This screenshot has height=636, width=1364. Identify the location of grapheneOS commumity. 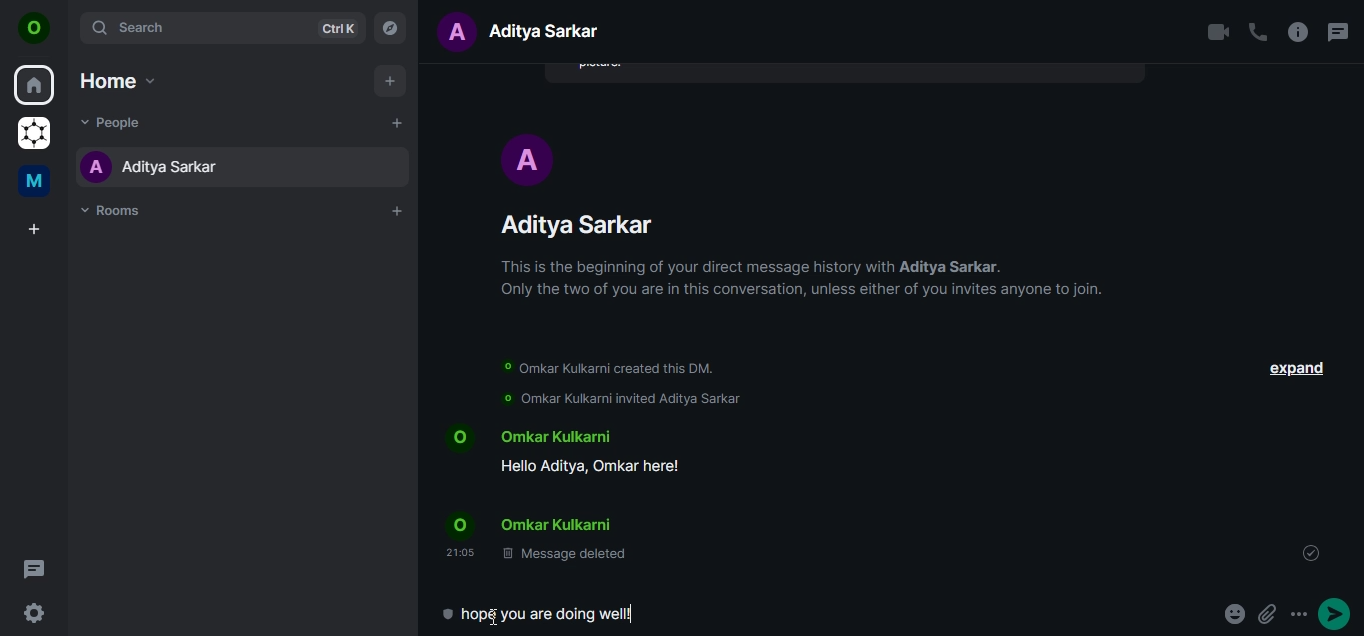
(36, 131).